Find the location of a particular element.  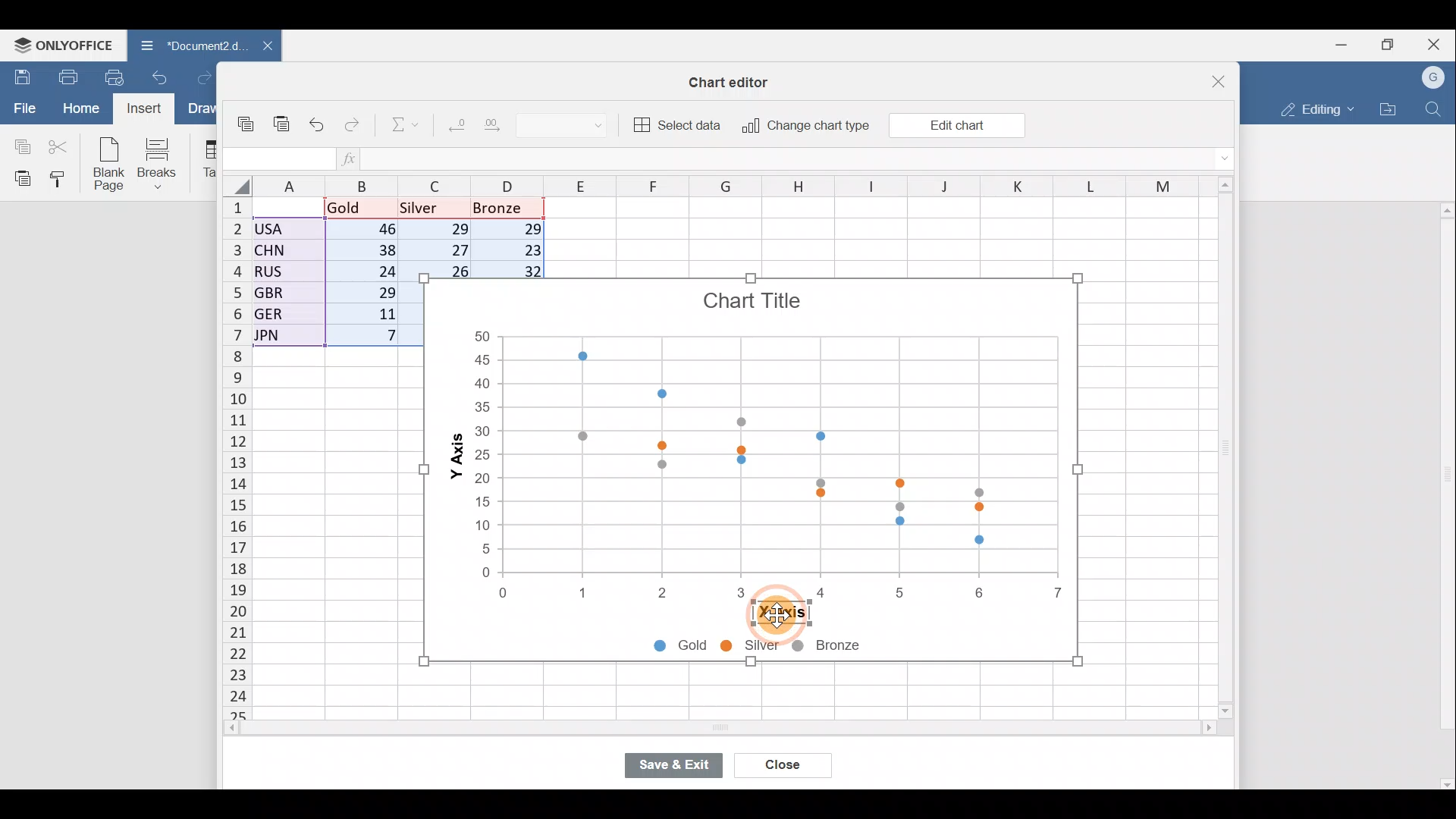

Copy is located at coordinates (19, 145).